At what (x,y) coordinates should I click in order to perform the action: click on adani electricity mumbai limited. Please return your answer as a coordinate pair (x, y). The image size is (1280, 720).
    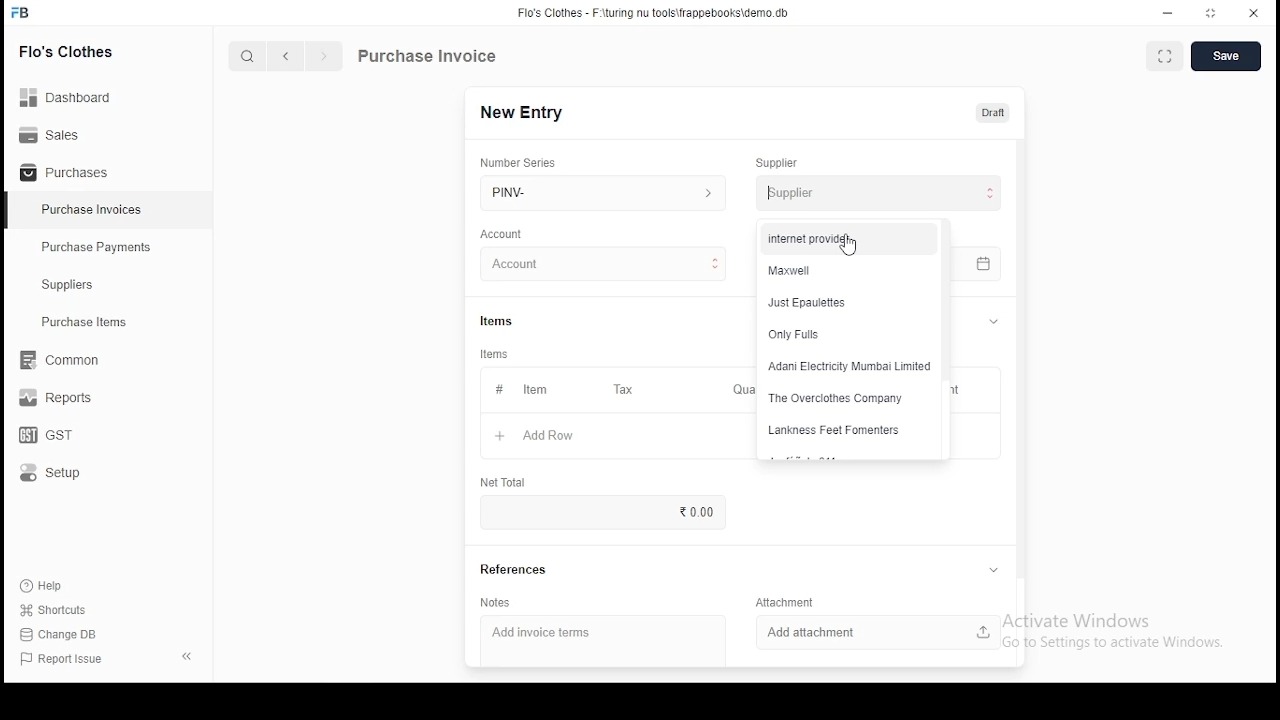
    Looking at the image, I should click on (848, 366).